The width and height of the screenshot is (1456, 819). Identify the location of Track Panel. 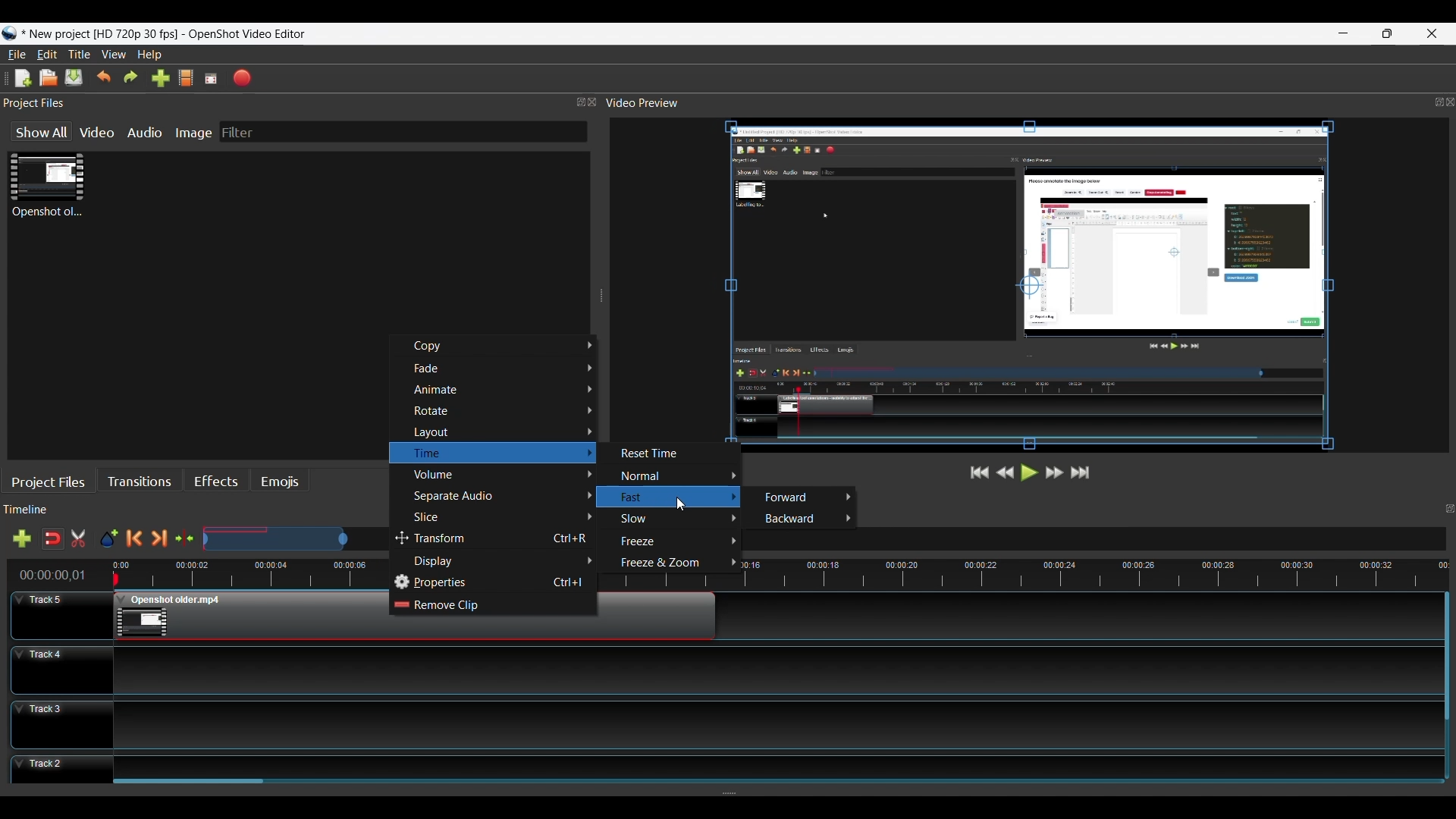
(775, 670).